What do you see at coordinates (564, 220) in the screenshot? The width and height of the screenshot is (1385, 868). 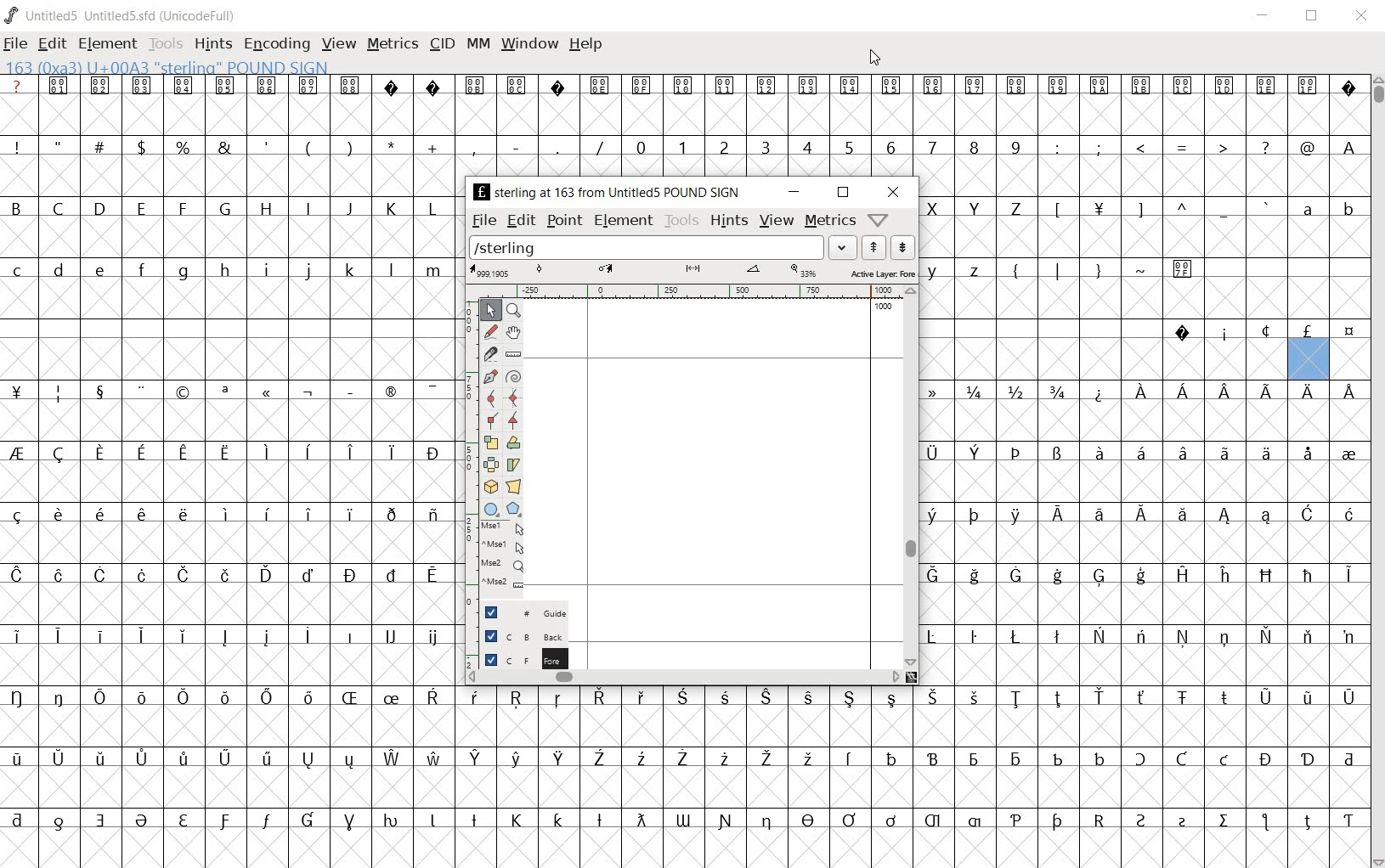 I see `point` at bounding box center [564, 220].